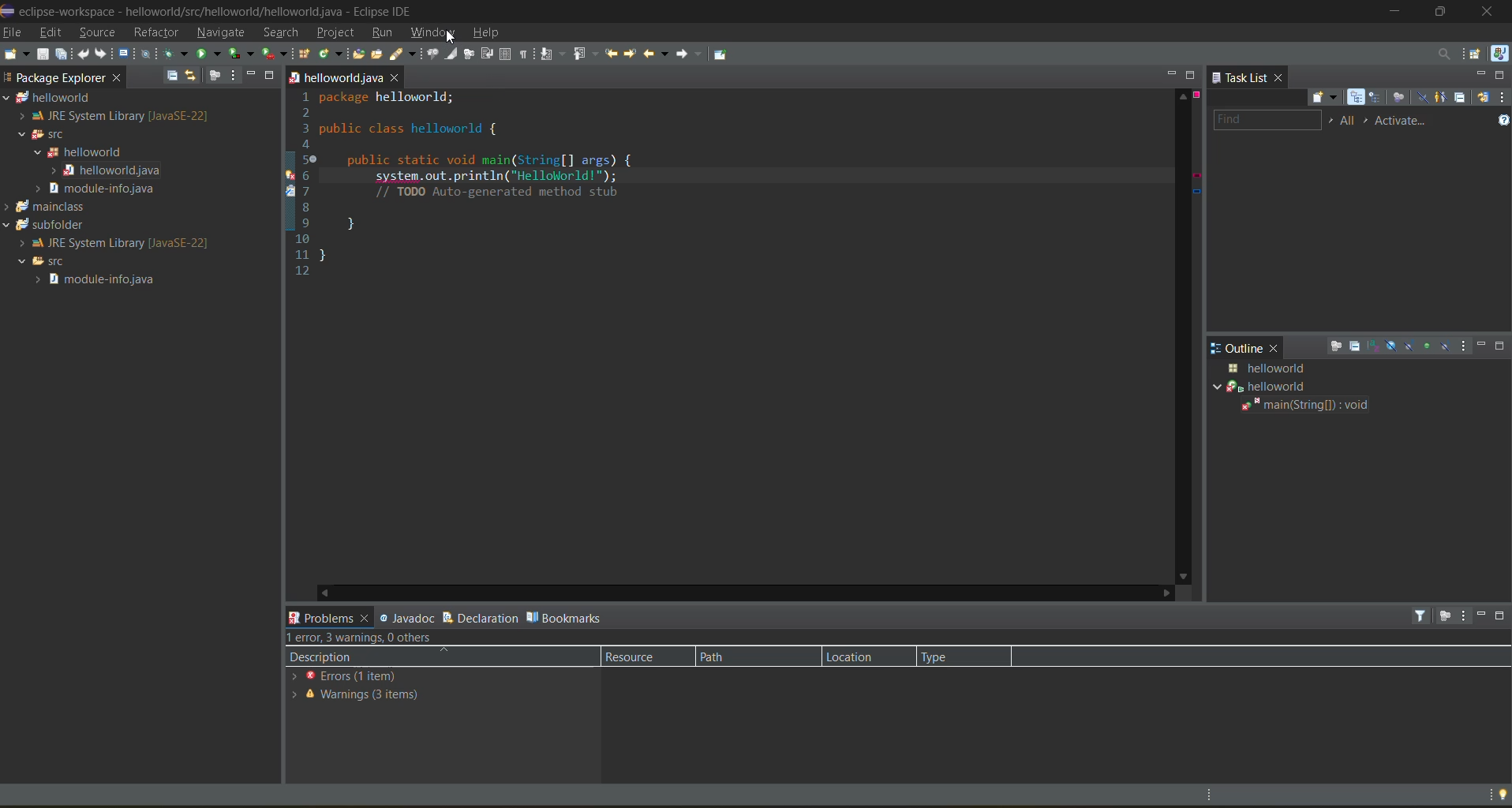 The width and height of the screenshot is (1512, 808). I want to click on minimize, so click(1484, 346).